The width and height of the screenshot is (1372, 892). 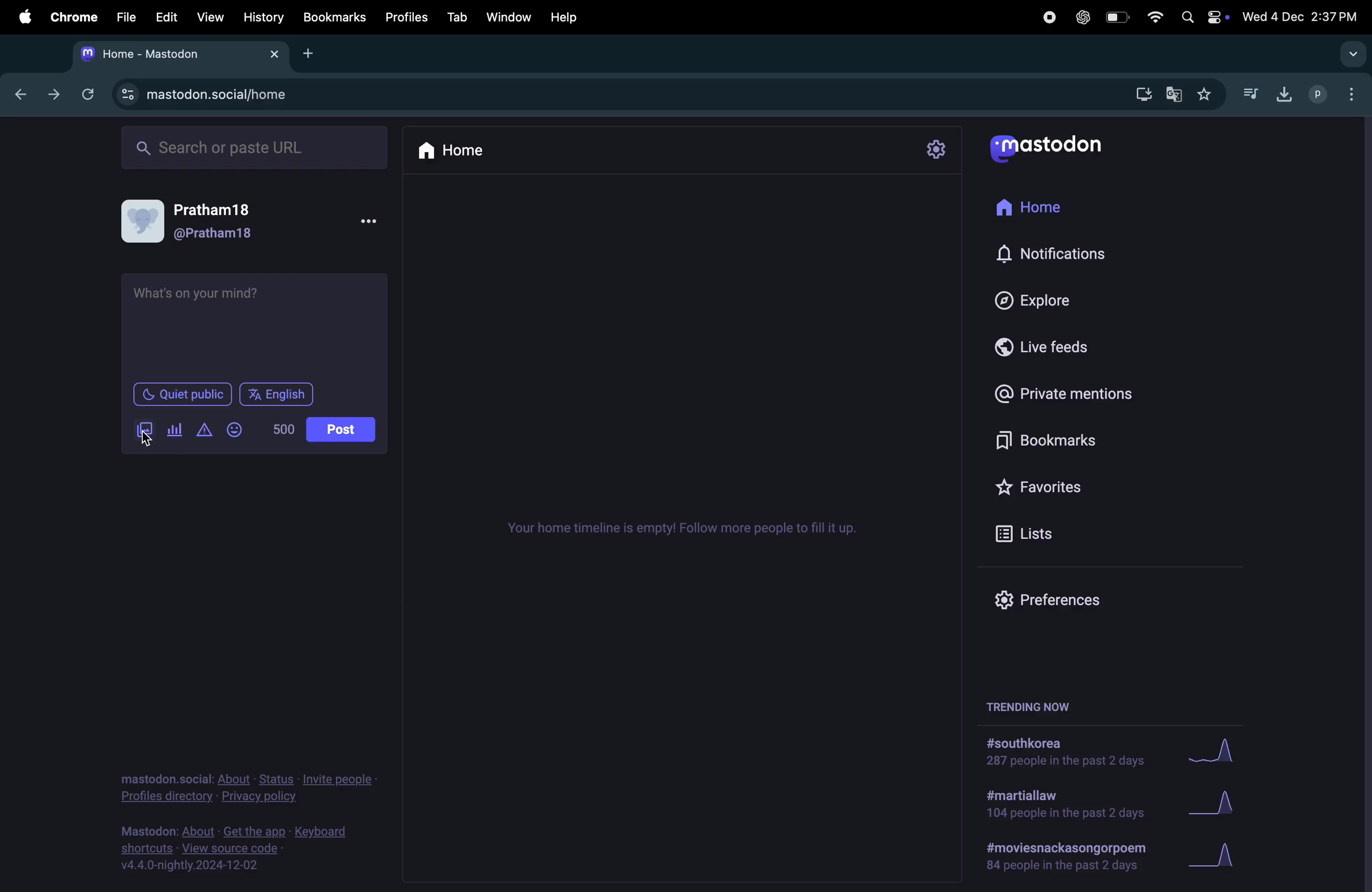 What do you see at coordinates (1043, 300) in the screenshot?
I see `Explore` at bounding box center [1043, 300].